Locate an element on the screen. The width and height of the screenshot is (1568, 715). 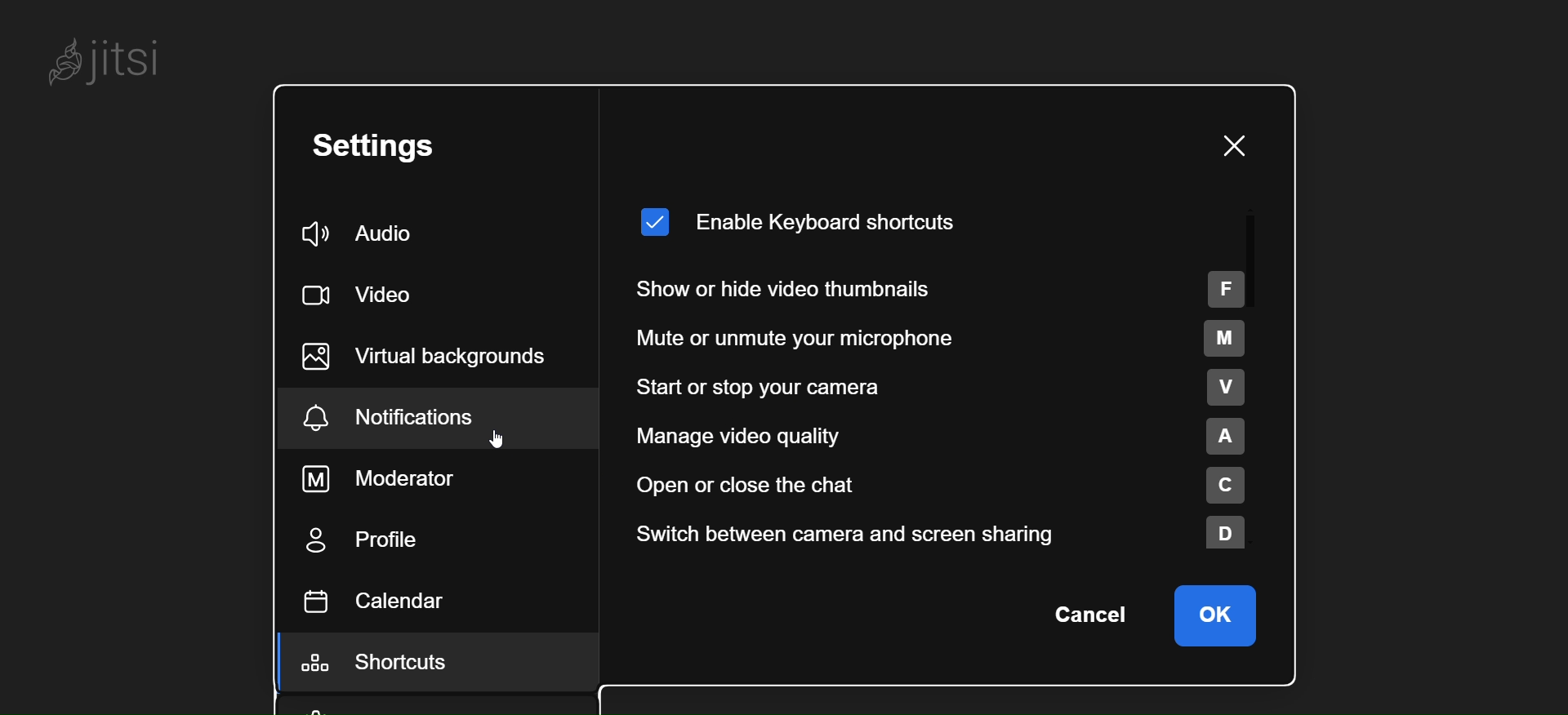
jitsi is located at coordinates (114, 62).